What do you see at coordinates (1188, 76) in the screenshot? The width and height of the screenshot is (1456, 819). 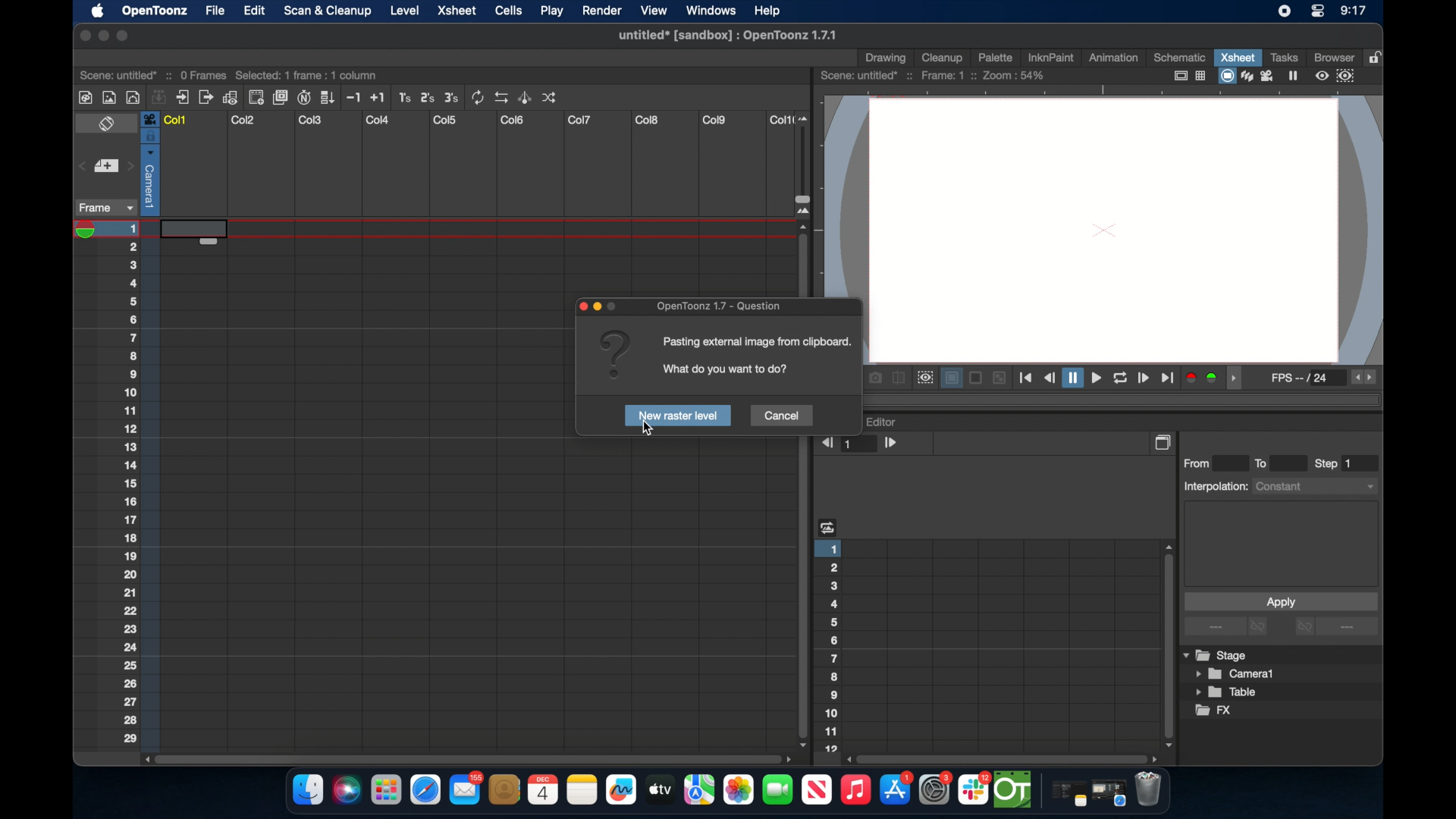 I see `guide options` at bounding box center [1188, 76].